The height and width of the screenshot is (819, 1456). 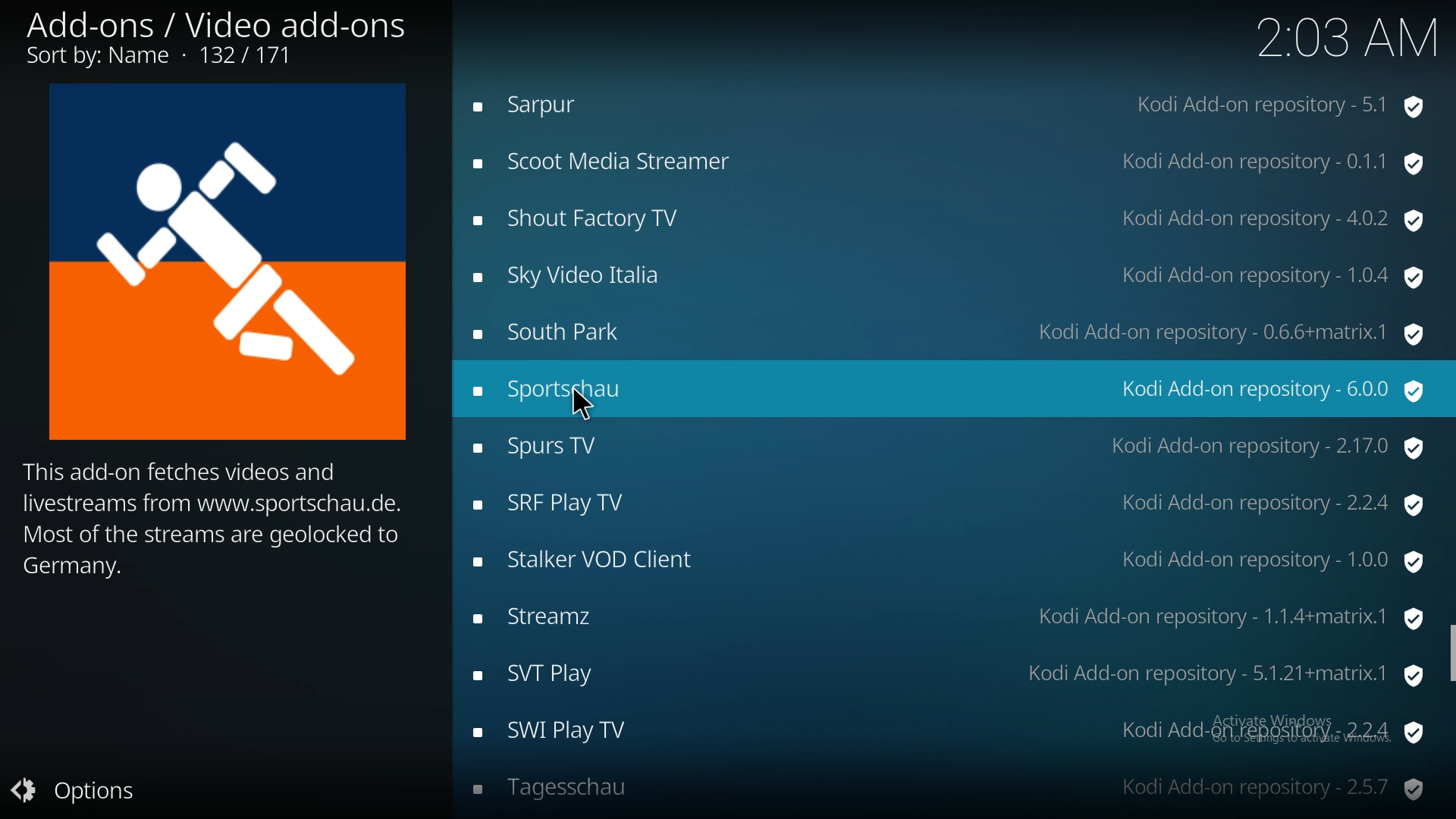 I want to click on icon, so click(x=225, y=262).